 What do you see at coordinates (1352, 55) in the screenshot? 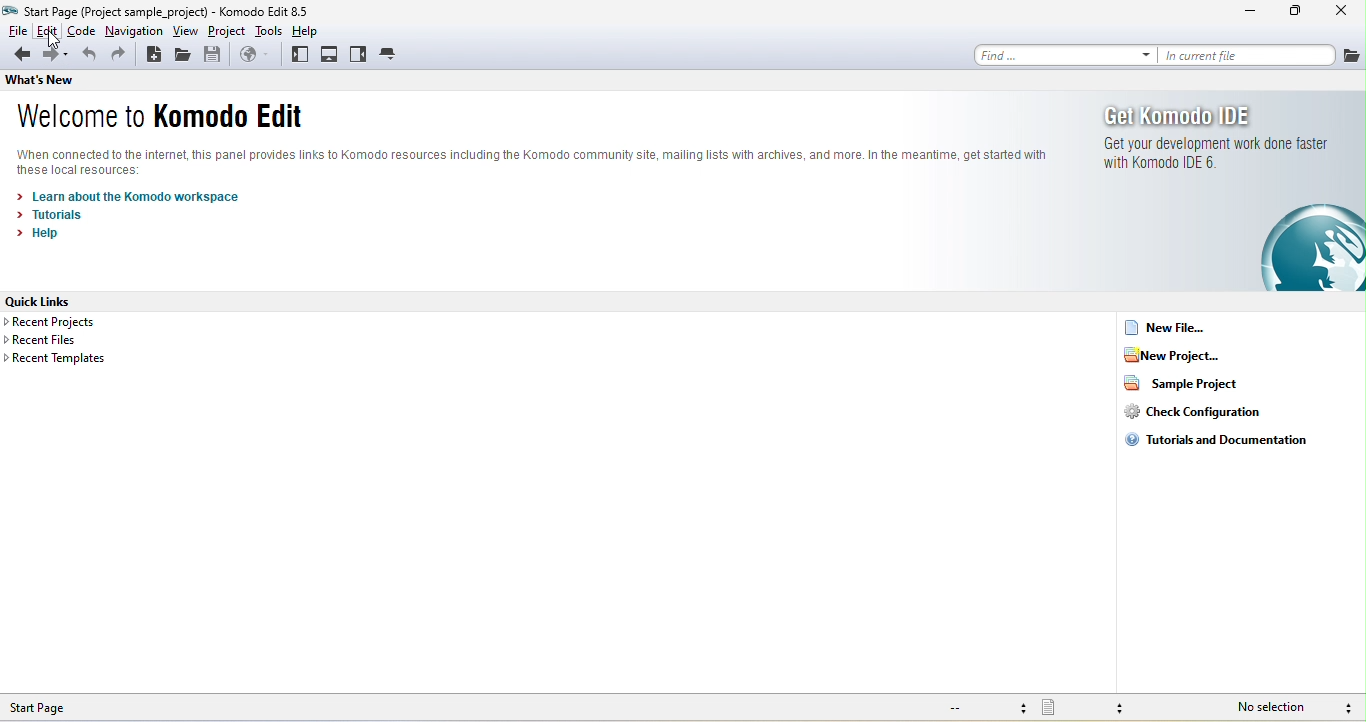
I see `file` at bounding box center [1352, 55].